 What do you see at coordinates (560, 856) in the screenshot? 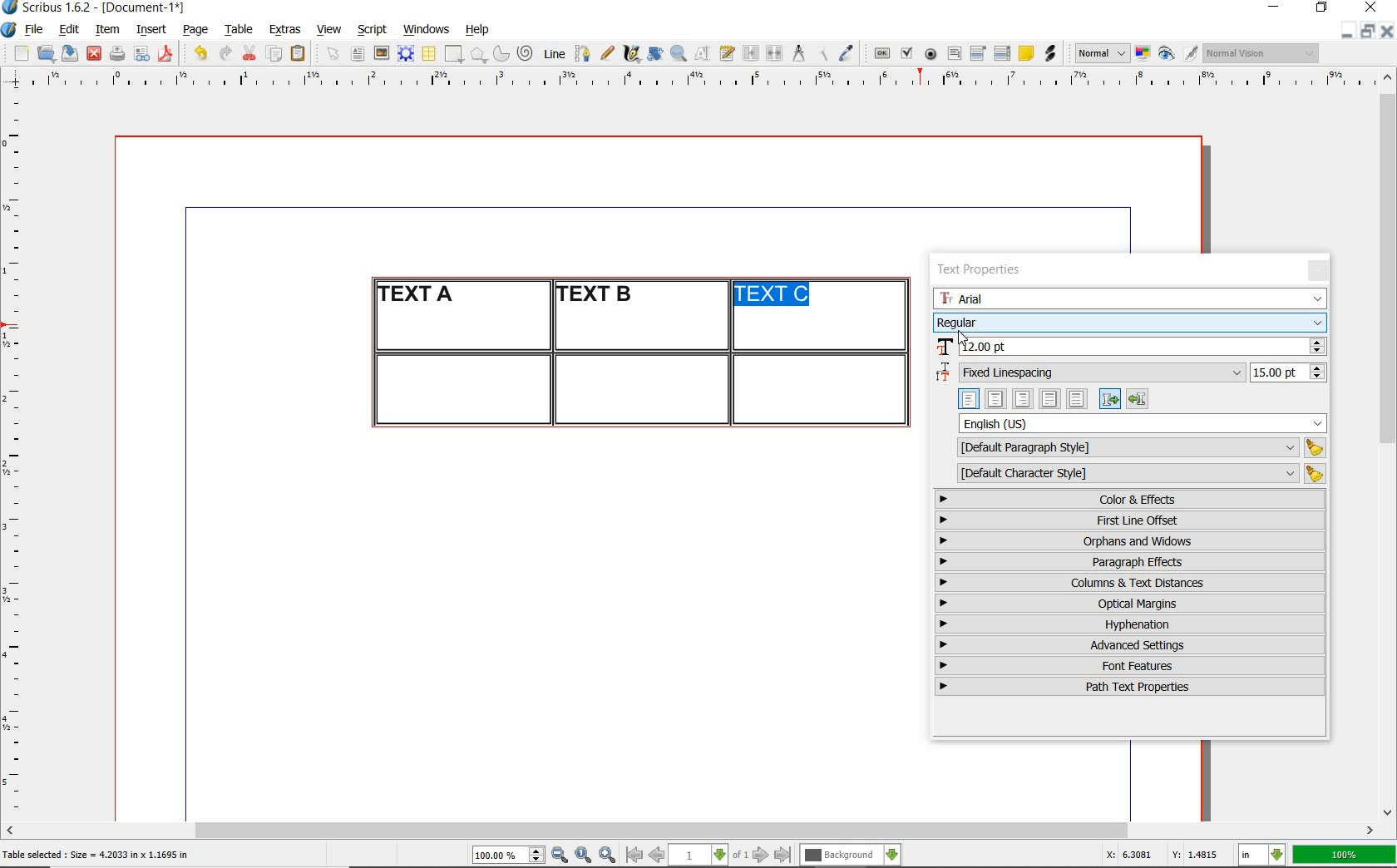
I see `zoom out` at bounding box center [560, 856].